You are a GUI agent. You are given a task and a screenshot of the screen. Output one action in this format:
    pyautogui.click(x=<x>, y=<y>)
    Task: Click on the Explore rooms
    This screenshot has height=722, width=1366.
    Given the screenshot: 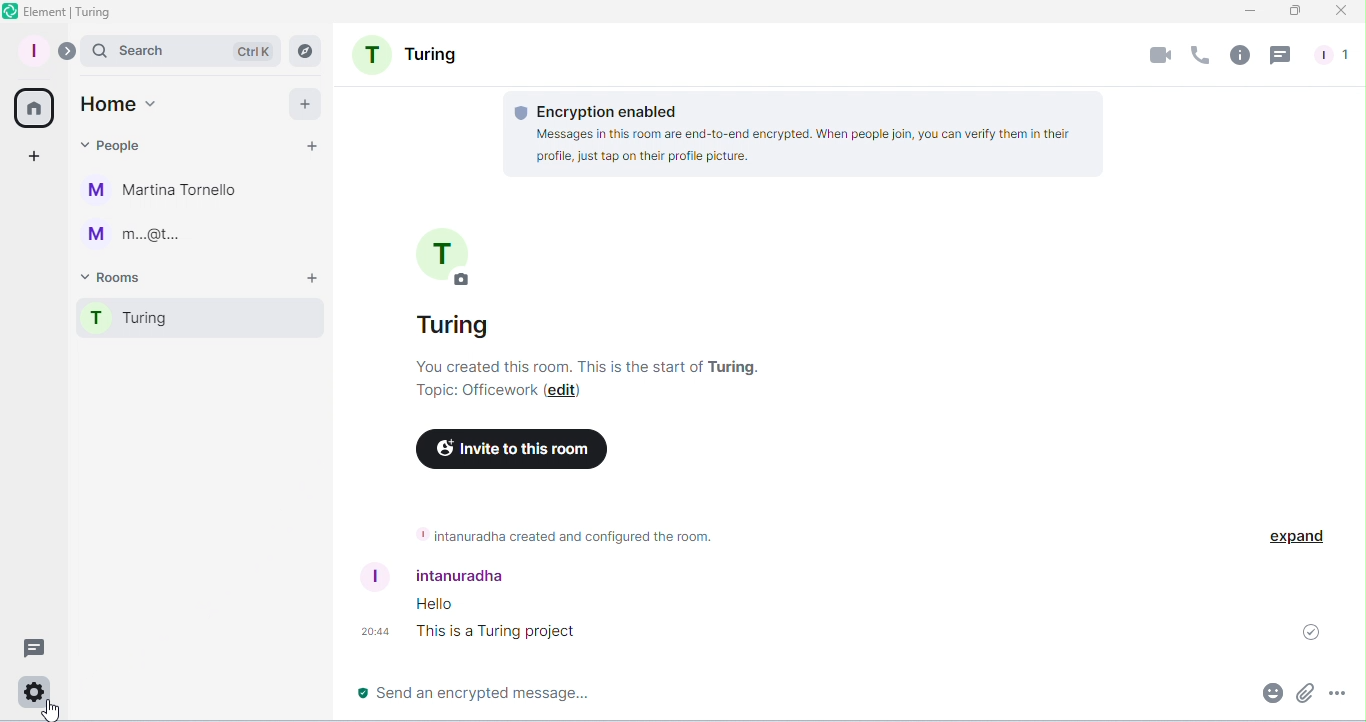 What is the action you would take?
    pyautogui.click(x=304, y=50)
    